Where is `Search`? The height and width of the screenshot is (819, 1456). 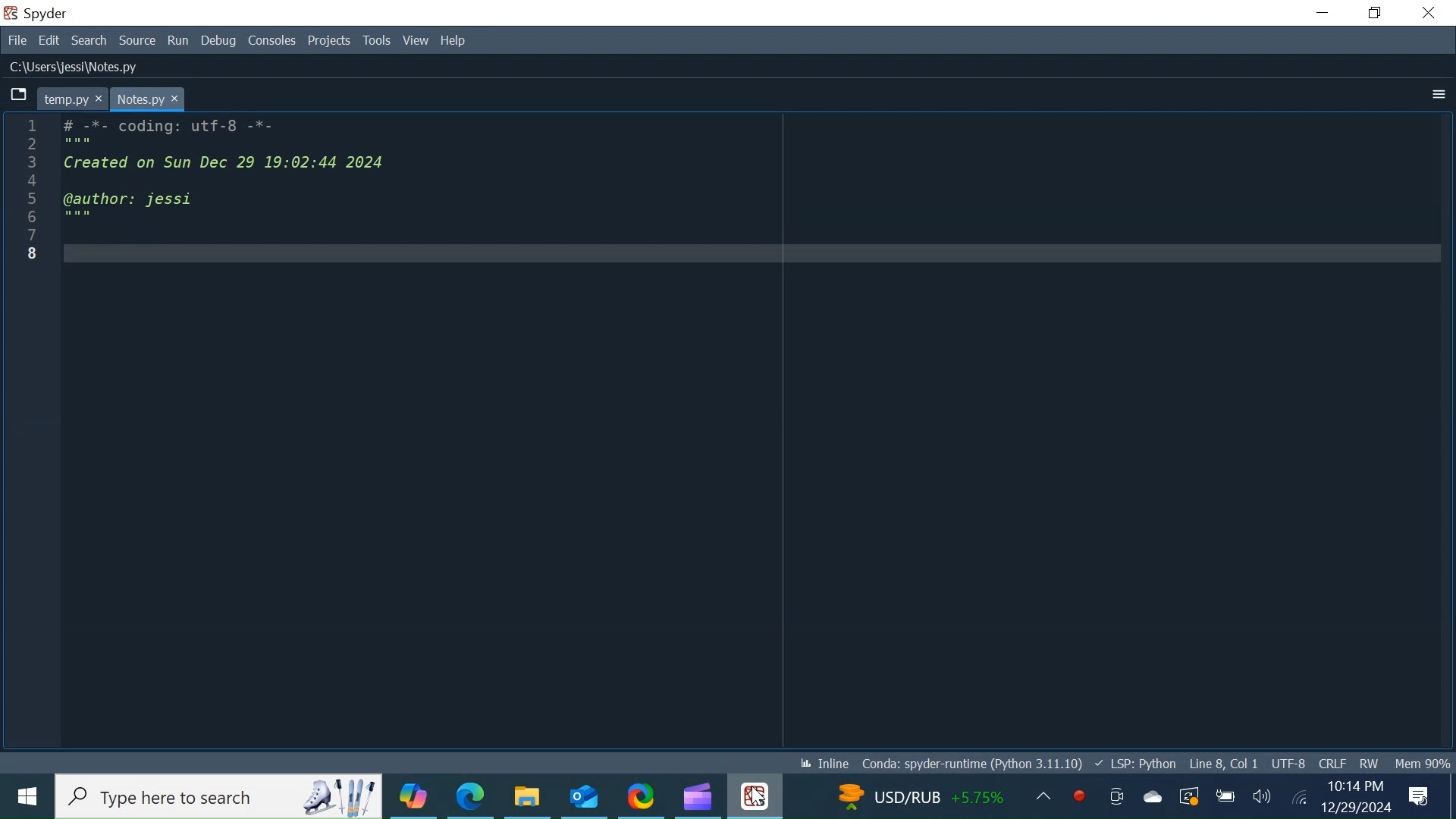 Search is located at coordinates (89, 40).